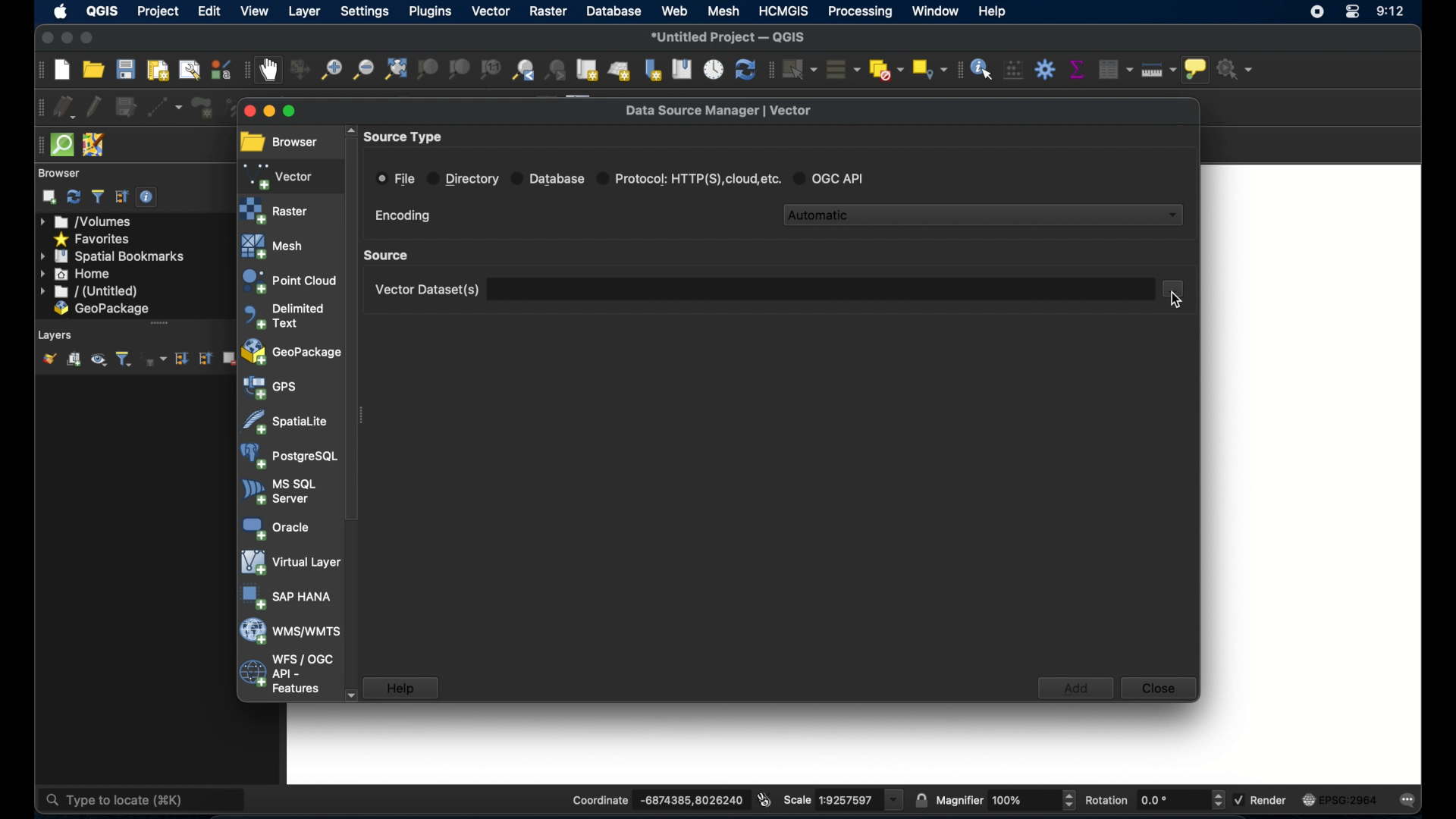 Image resolution: width=1456 pixels, height=819 pixels. What do you see at coordinates (180, 359) in the screenshot?
I see `expand all` at bounding box center [180, 359].